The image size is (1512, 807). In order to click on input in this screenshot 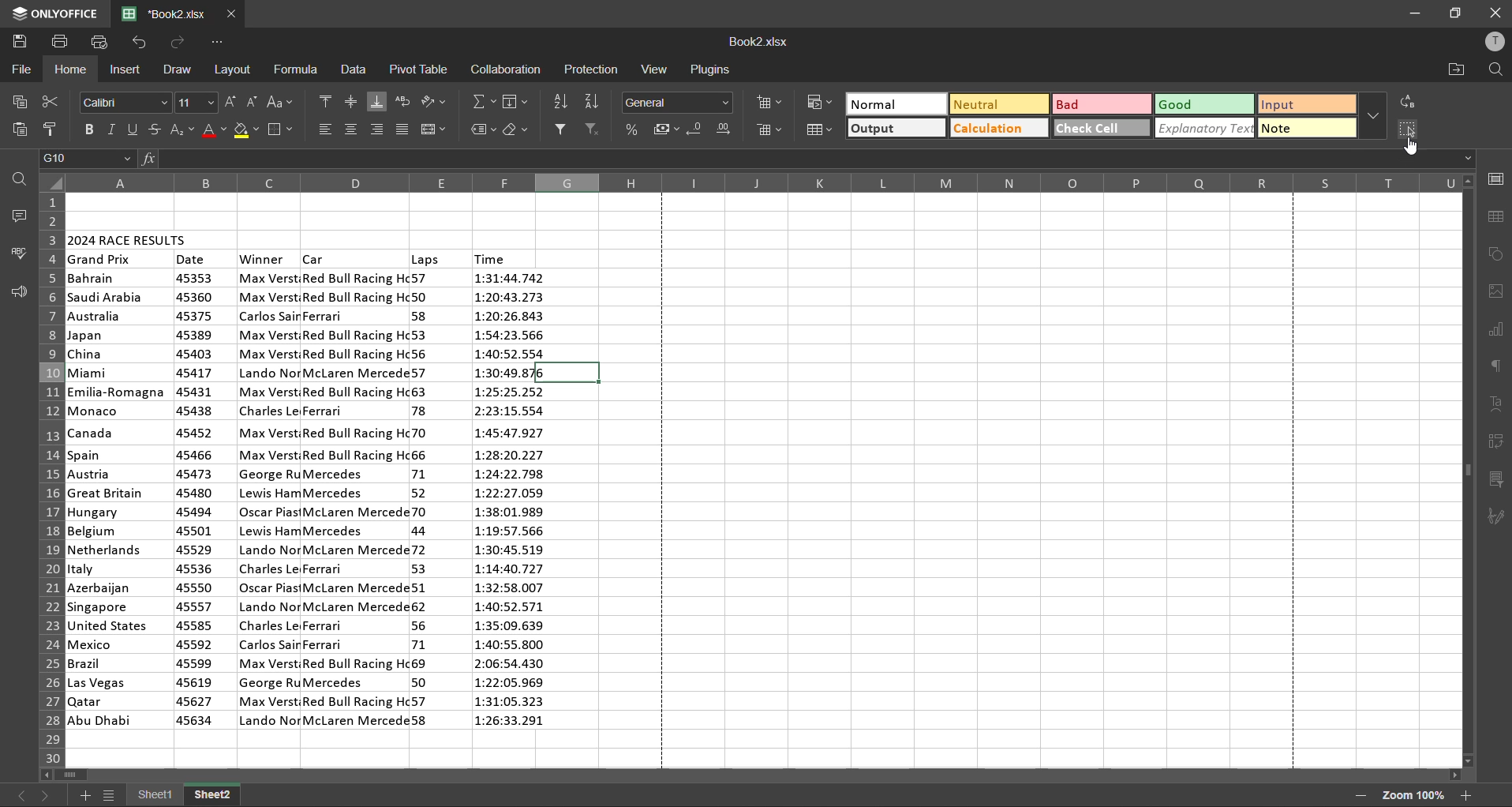, I will do `click(1307, 103)`.